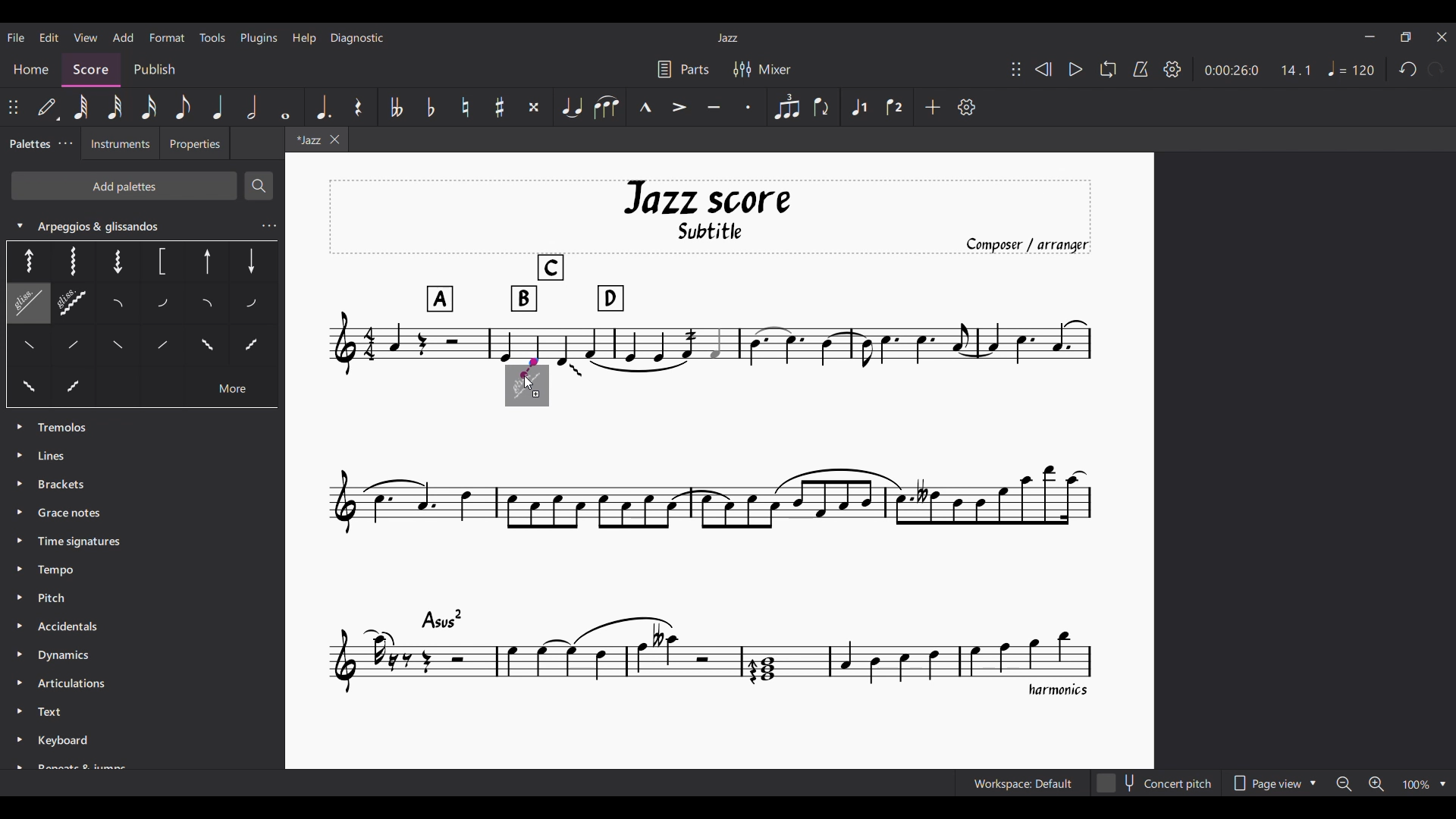 This screenshot has width=1456, height=819. I want to click on Palate 14, so click(158, 349).